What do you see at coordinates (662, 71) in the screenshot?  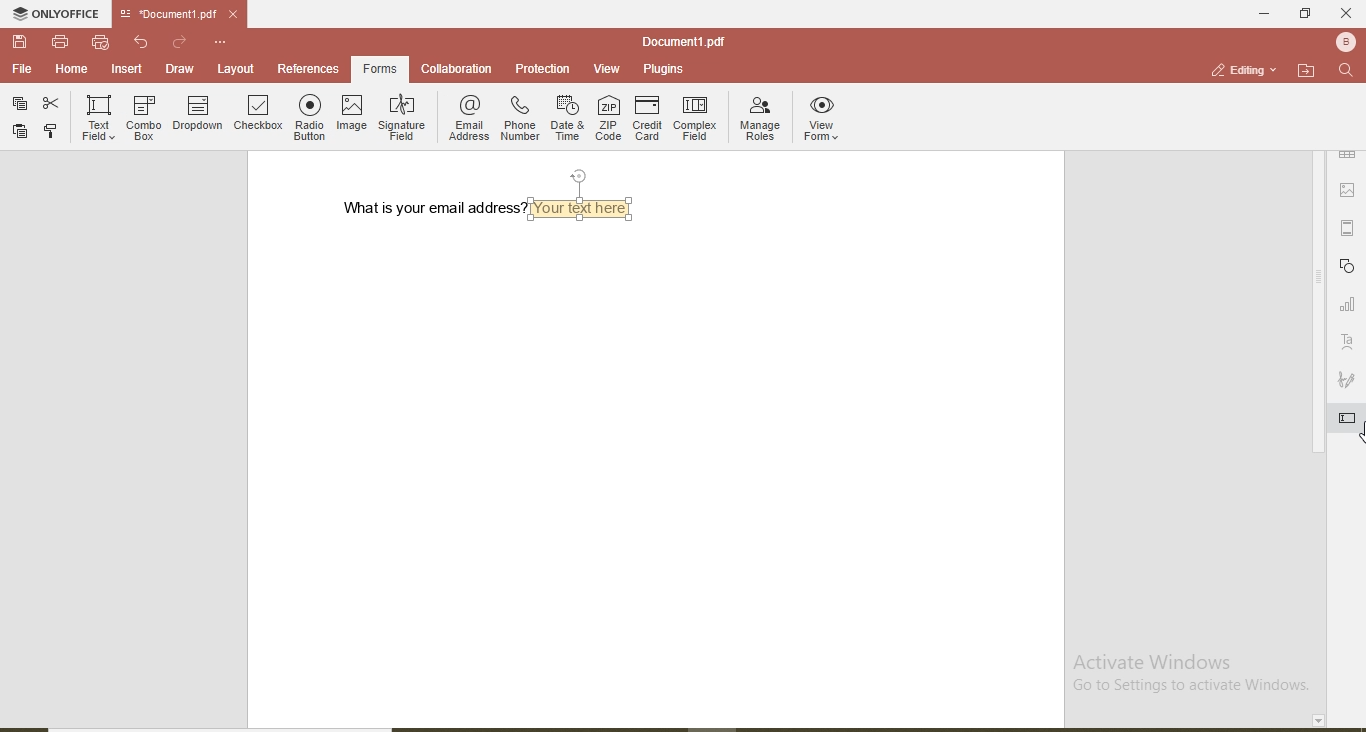 I see `plugins` at bounding box center [662, 71].